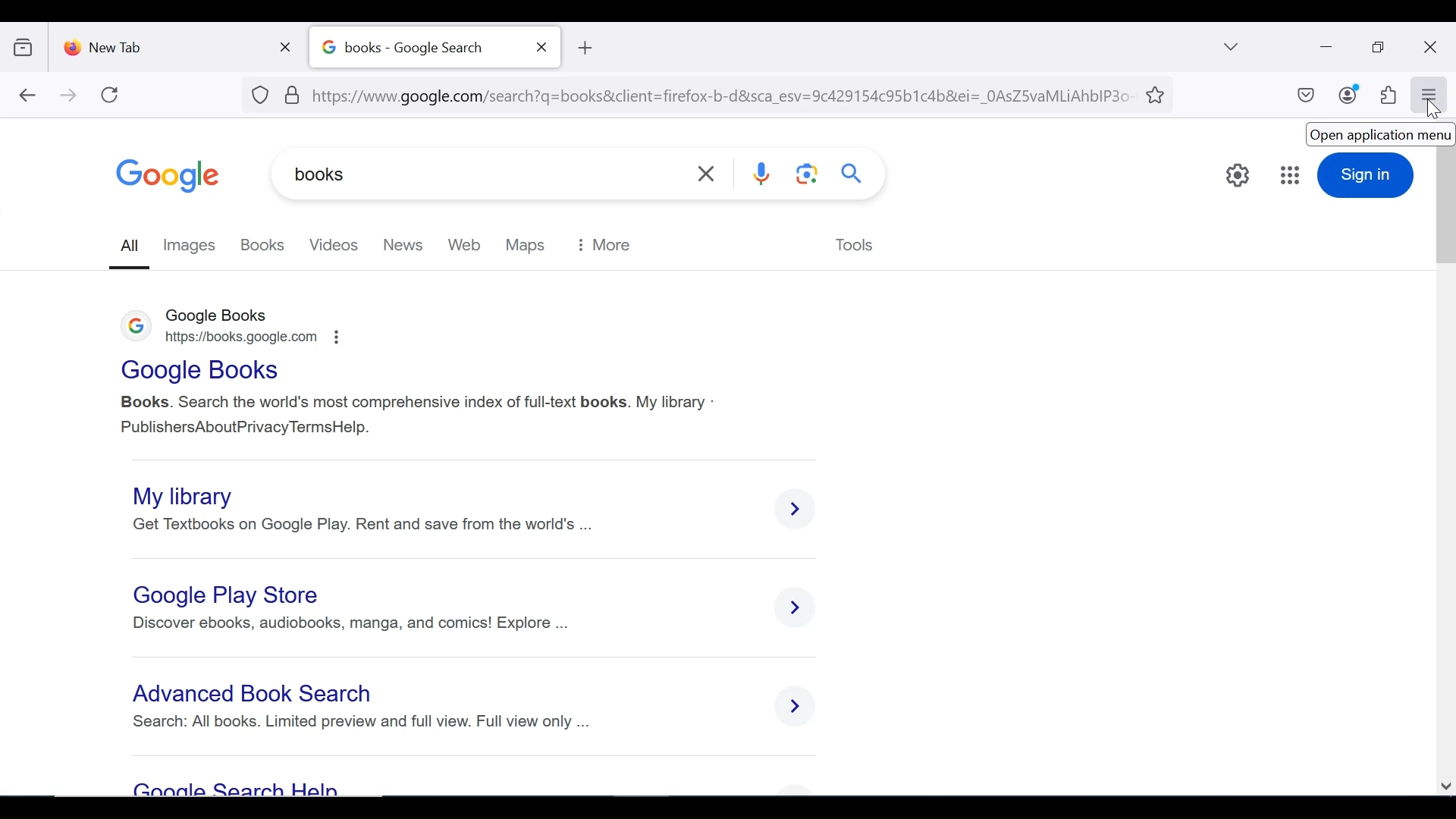 The image size is (1456, 819). Describe the element at coordinates (1431, 48) in the screenshot. I see `close window` at that location.